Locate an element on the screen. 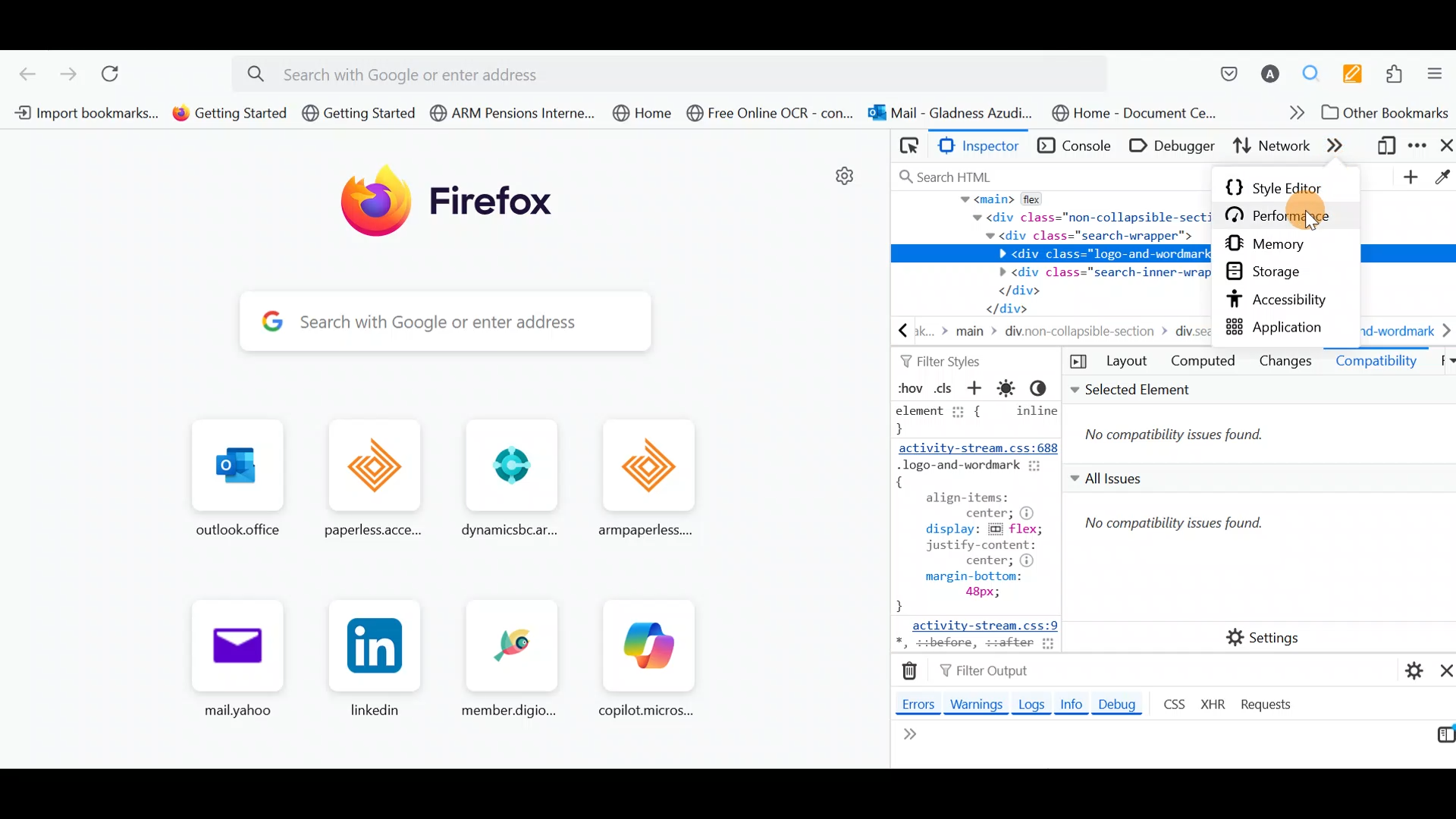 Image resolution: width=1456 pixels, height=819 pixels. Toggle pseudo classes is located at coordinates (908, 388).